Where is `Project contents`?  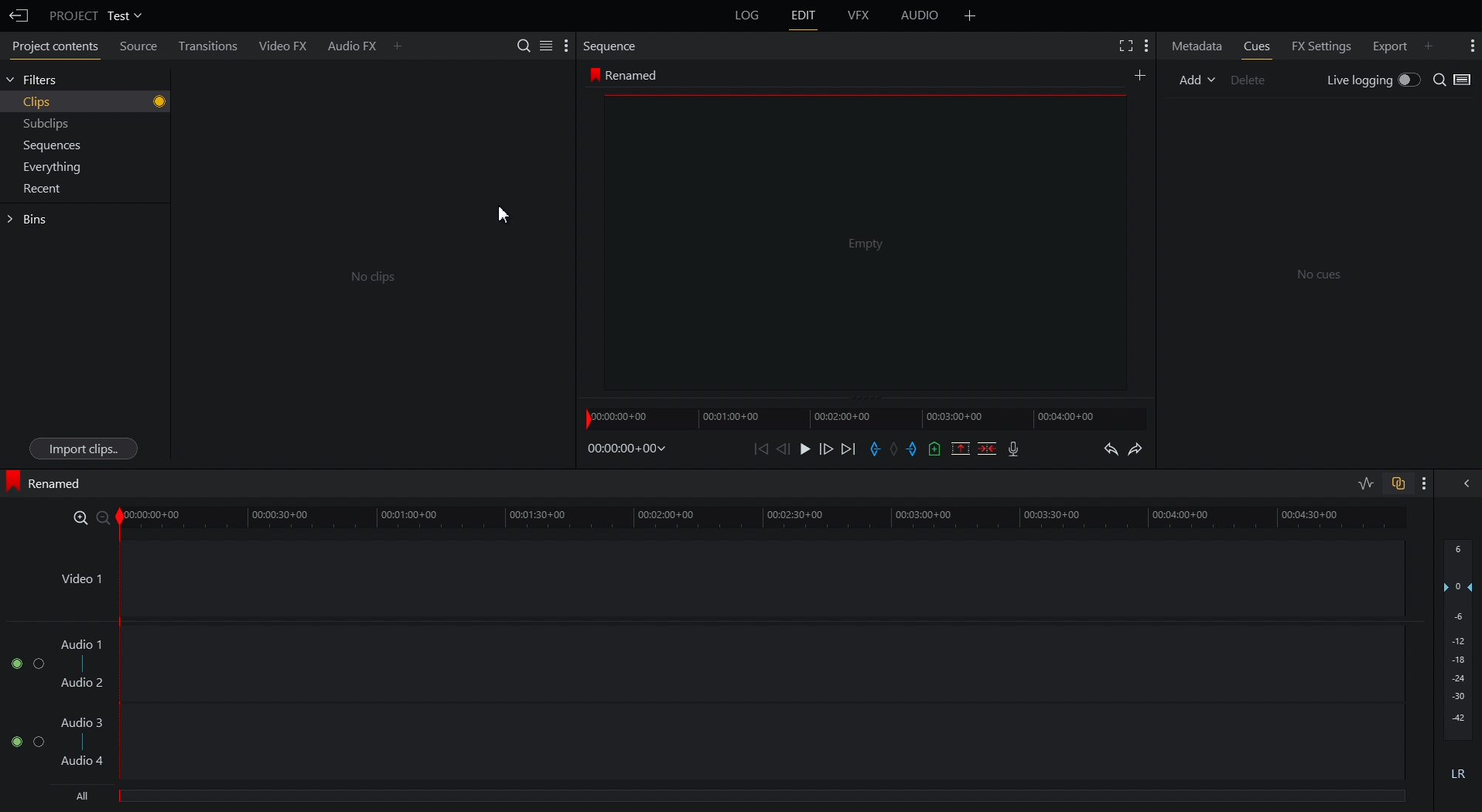
Project contents is located at coordinates (49, 45).